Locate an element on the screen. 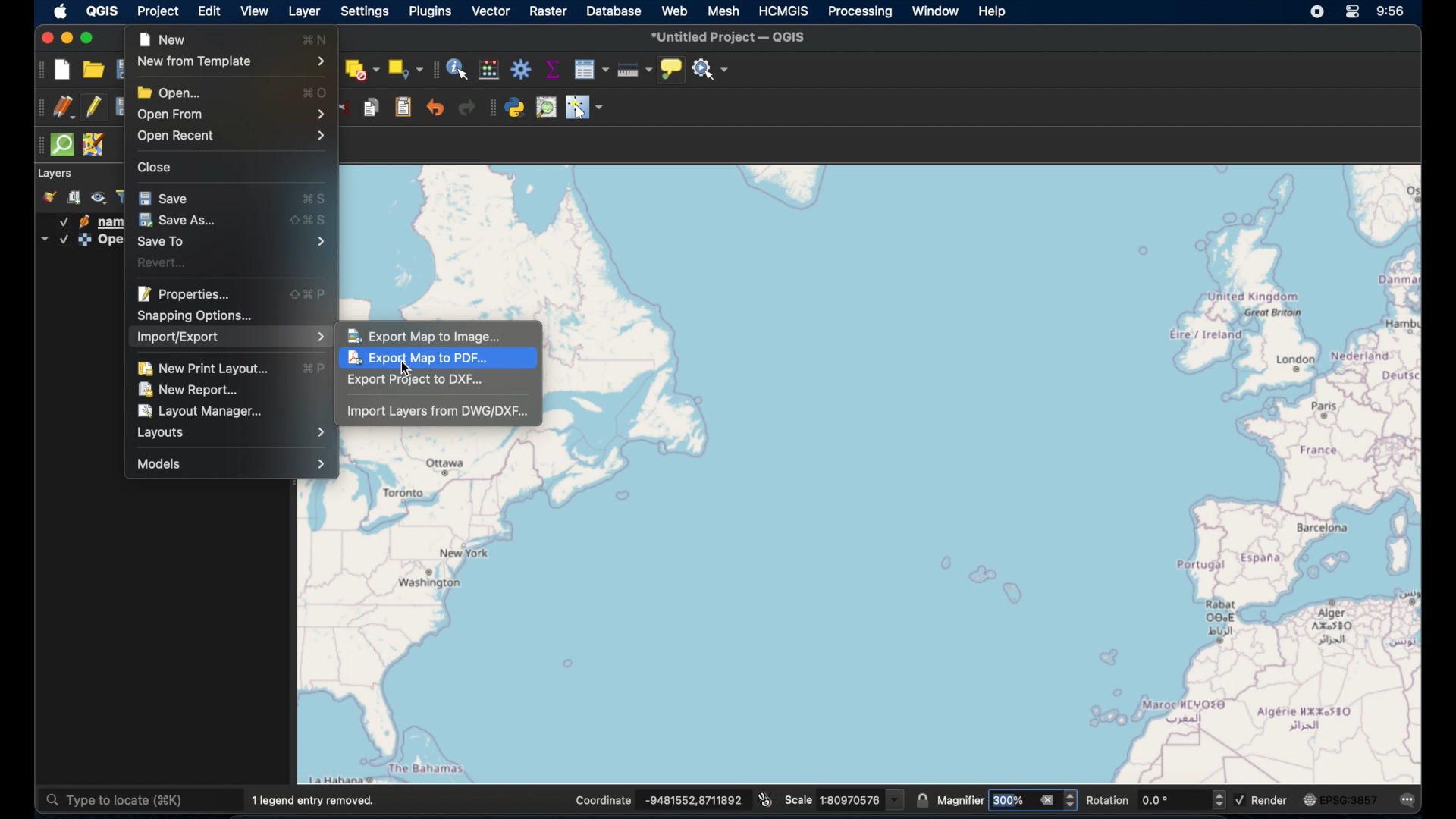 The height and width of the screenshot is (819, 1456). new print layout shortcut is located at coordinates (315, 369).